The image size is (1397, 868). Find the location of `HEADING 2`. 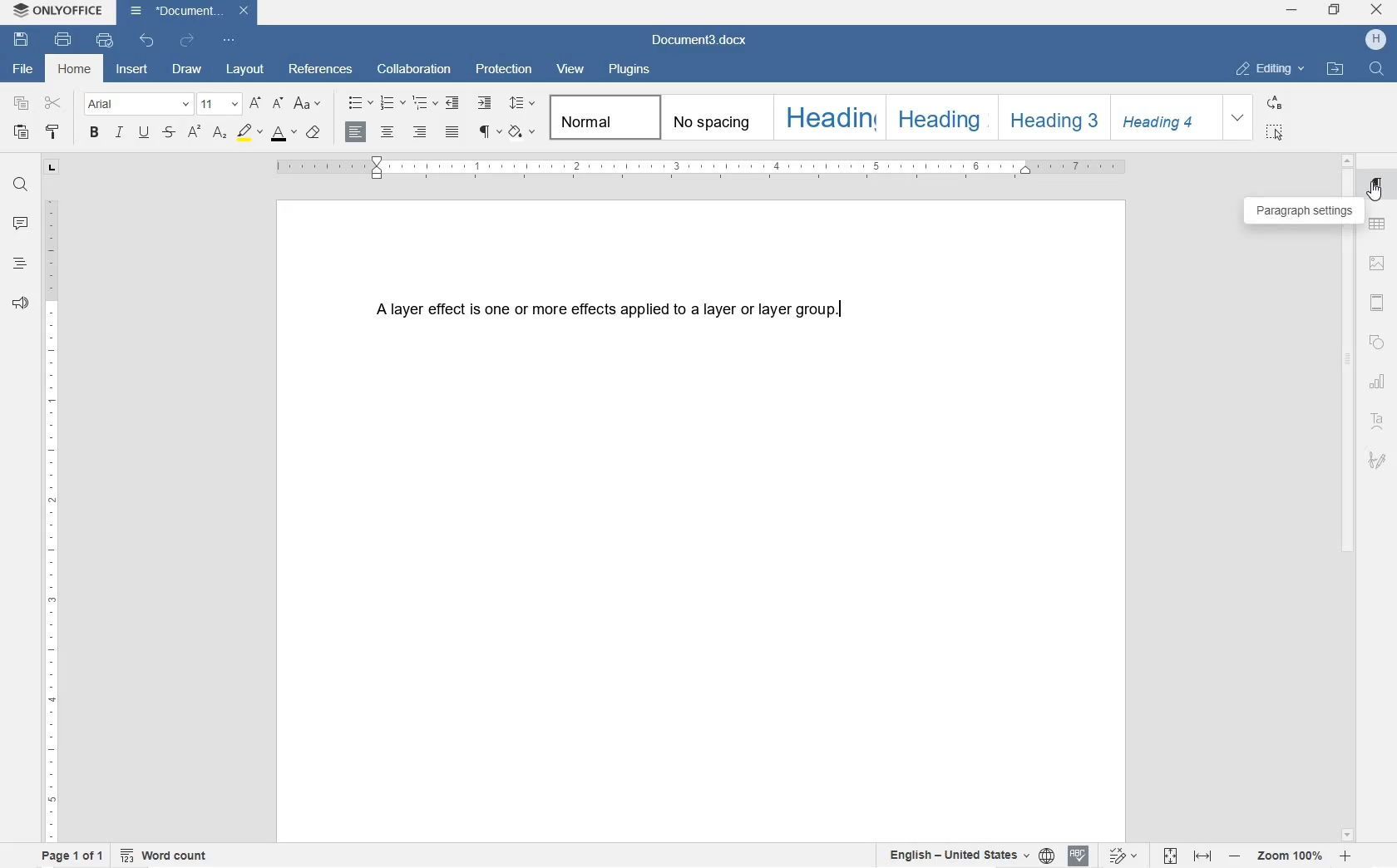

HEADING 2 is located at coordinates (940, 118).